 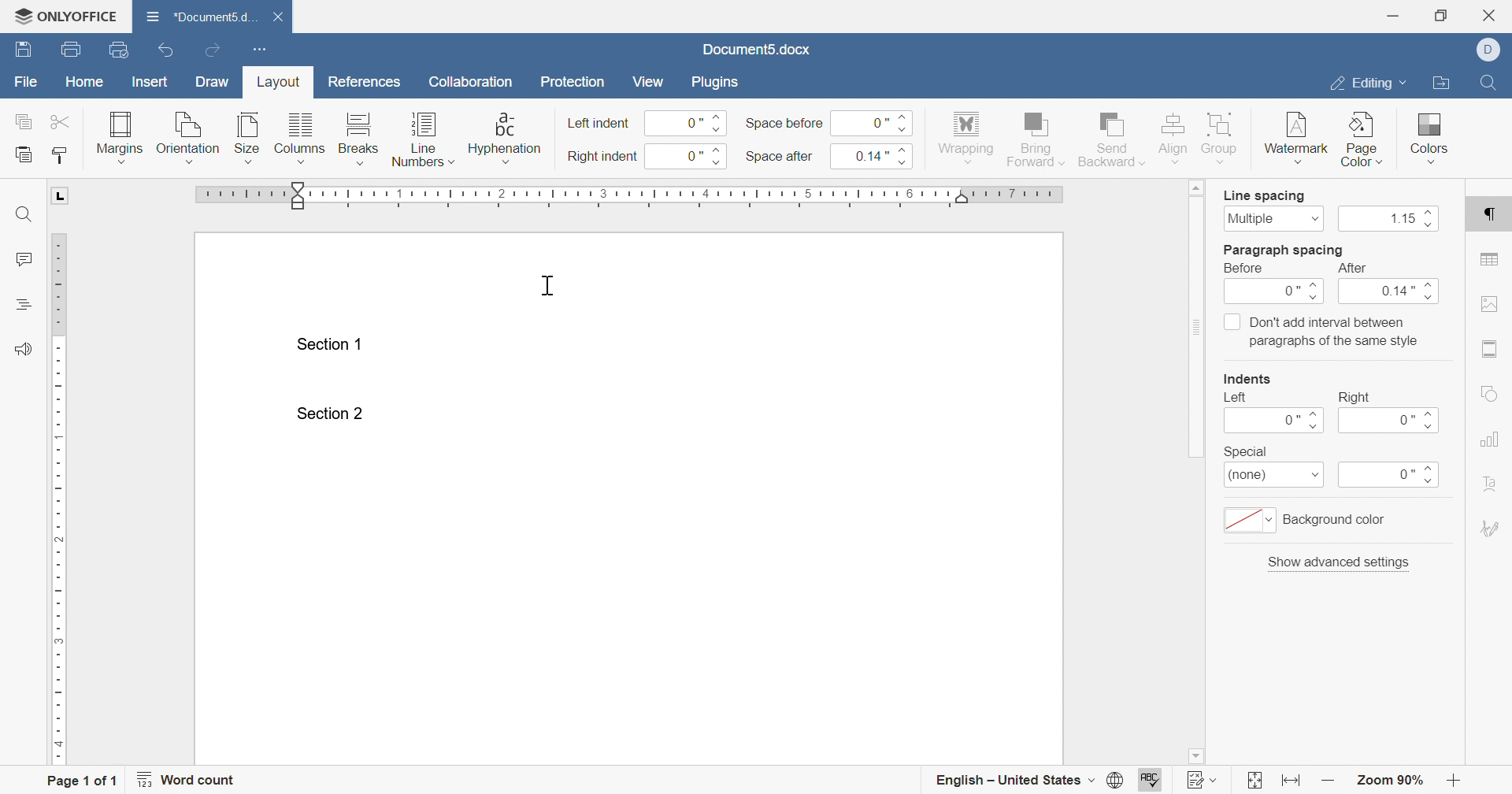 What do you see at coordinates (121, 49) in the screenshot?
I see `quick print` at bounding box center [121, 49].